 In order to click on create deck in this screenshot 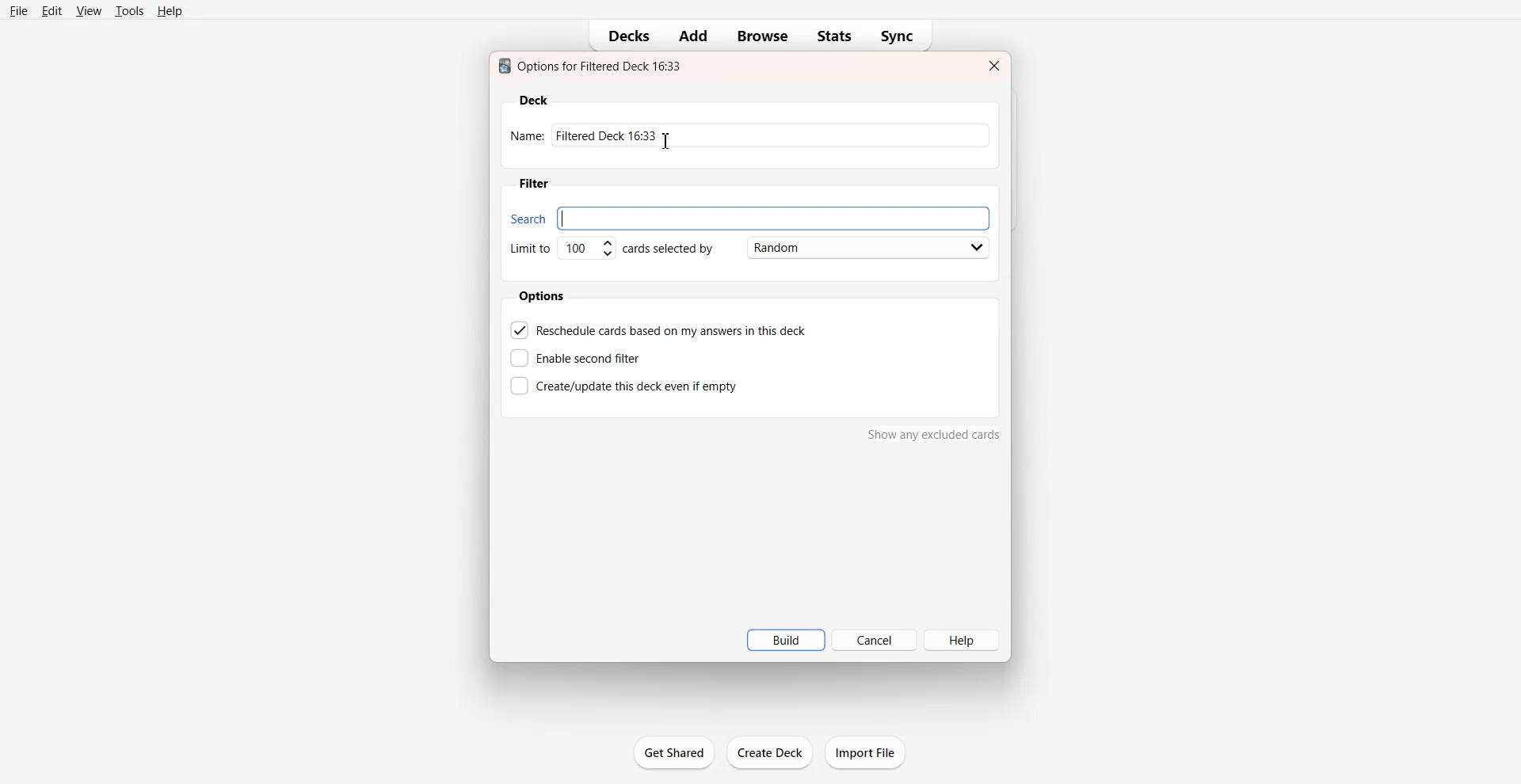, I will do `click(774, 753)`.